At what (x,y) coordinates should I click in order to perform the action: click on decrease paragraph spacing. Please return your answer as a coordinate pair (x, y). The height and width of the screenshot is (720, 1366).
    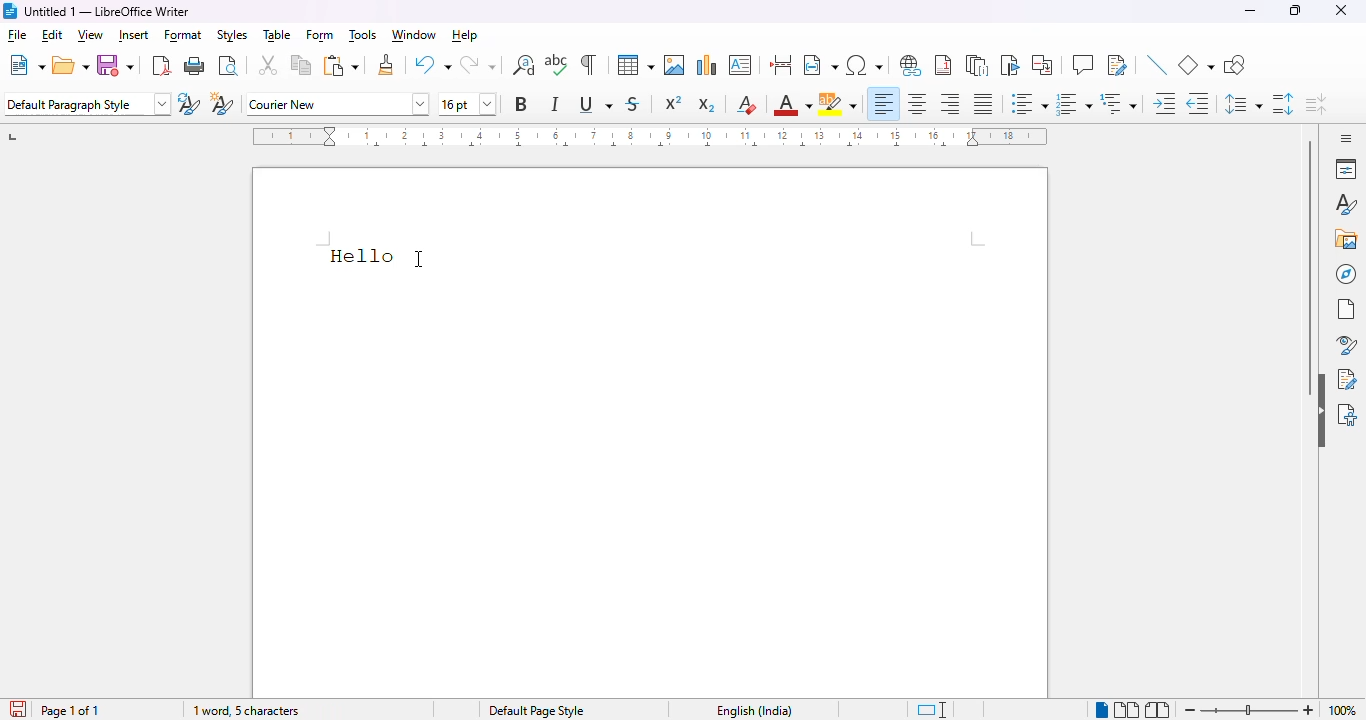
    Looking at the image, I should click on (1317, 105).